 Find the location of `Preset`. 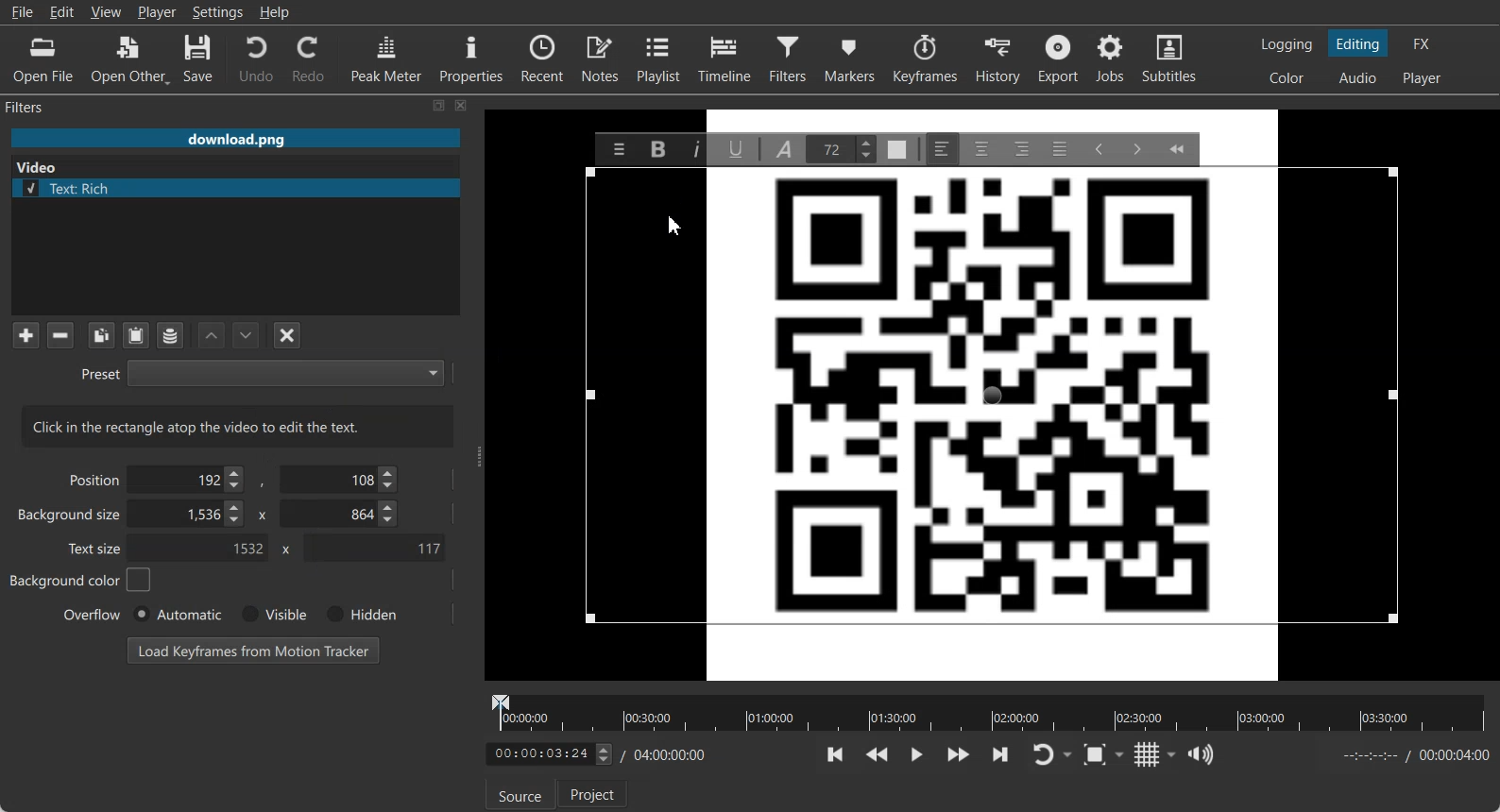

Preset is located at coordinates (262, 372).